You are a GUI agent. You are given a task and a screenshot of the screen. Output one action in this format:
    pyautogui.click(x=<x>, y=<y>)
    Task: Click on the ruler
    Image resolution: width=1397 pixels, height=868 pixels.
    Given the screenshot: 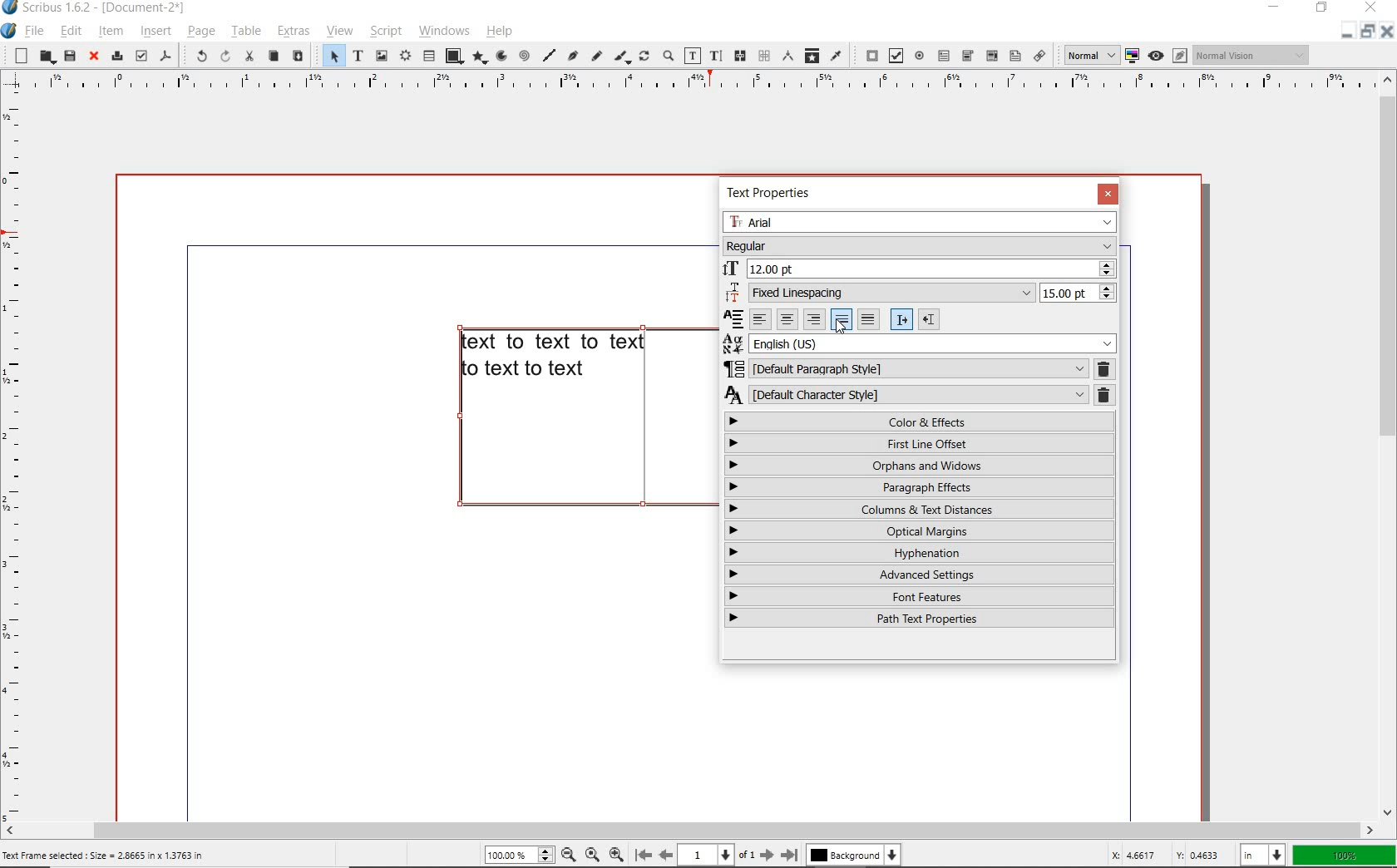 What is the action you would take?
    pyautogui.click(x=700, y=83)
    